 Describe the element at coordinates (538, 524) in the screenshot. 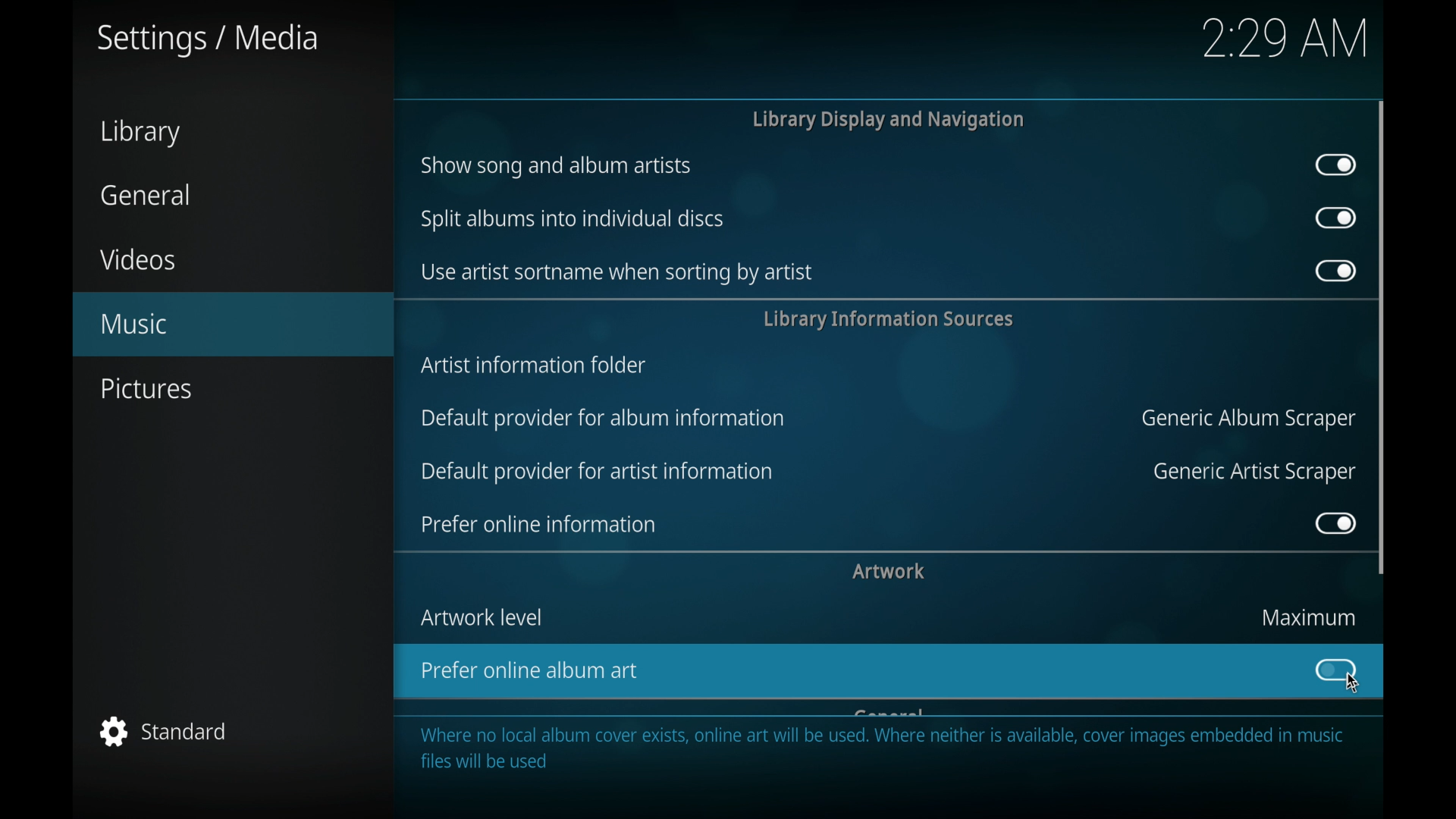

I see `prefer online information` at that location.